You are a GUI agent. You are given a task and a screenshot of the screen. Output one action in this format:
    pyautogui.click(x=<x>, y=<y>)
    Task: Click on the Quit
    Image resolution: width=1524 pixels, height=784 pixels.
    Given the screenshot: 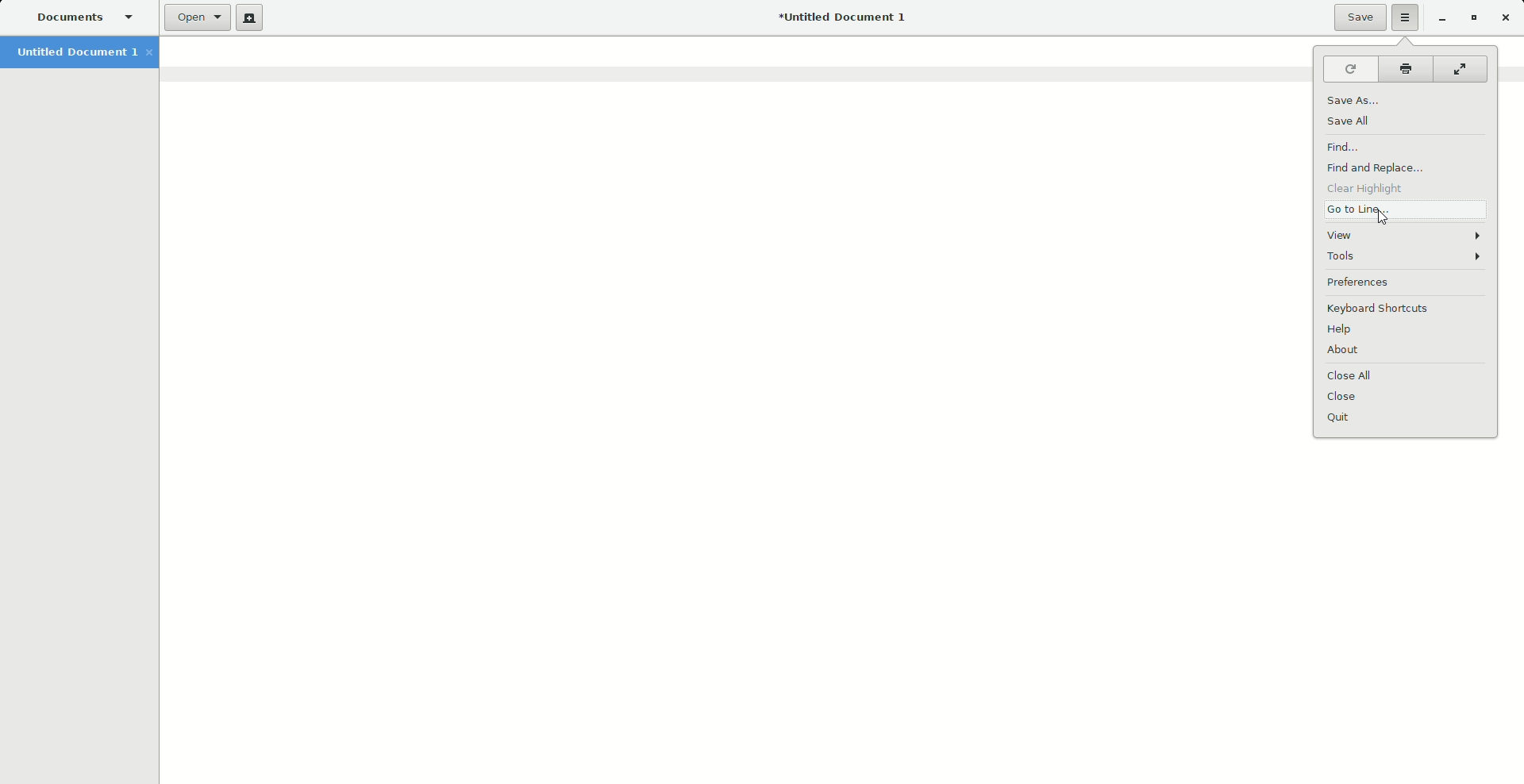 What is the action you would take?
    pyautogui.click(x=1341, y=417)
    